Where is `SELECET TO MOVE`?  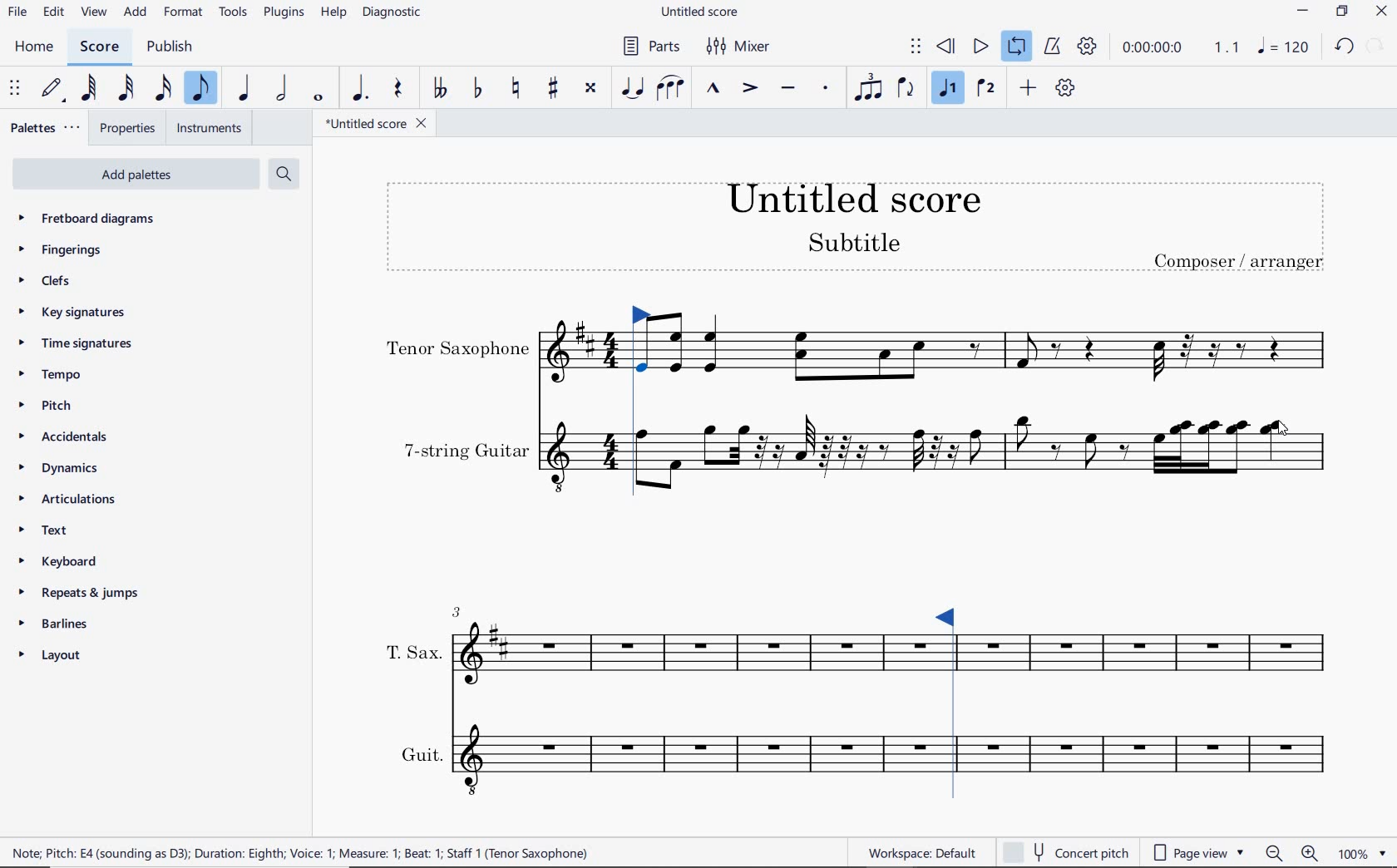
SELECET TO MOVE is located at coordinates (14, 89).